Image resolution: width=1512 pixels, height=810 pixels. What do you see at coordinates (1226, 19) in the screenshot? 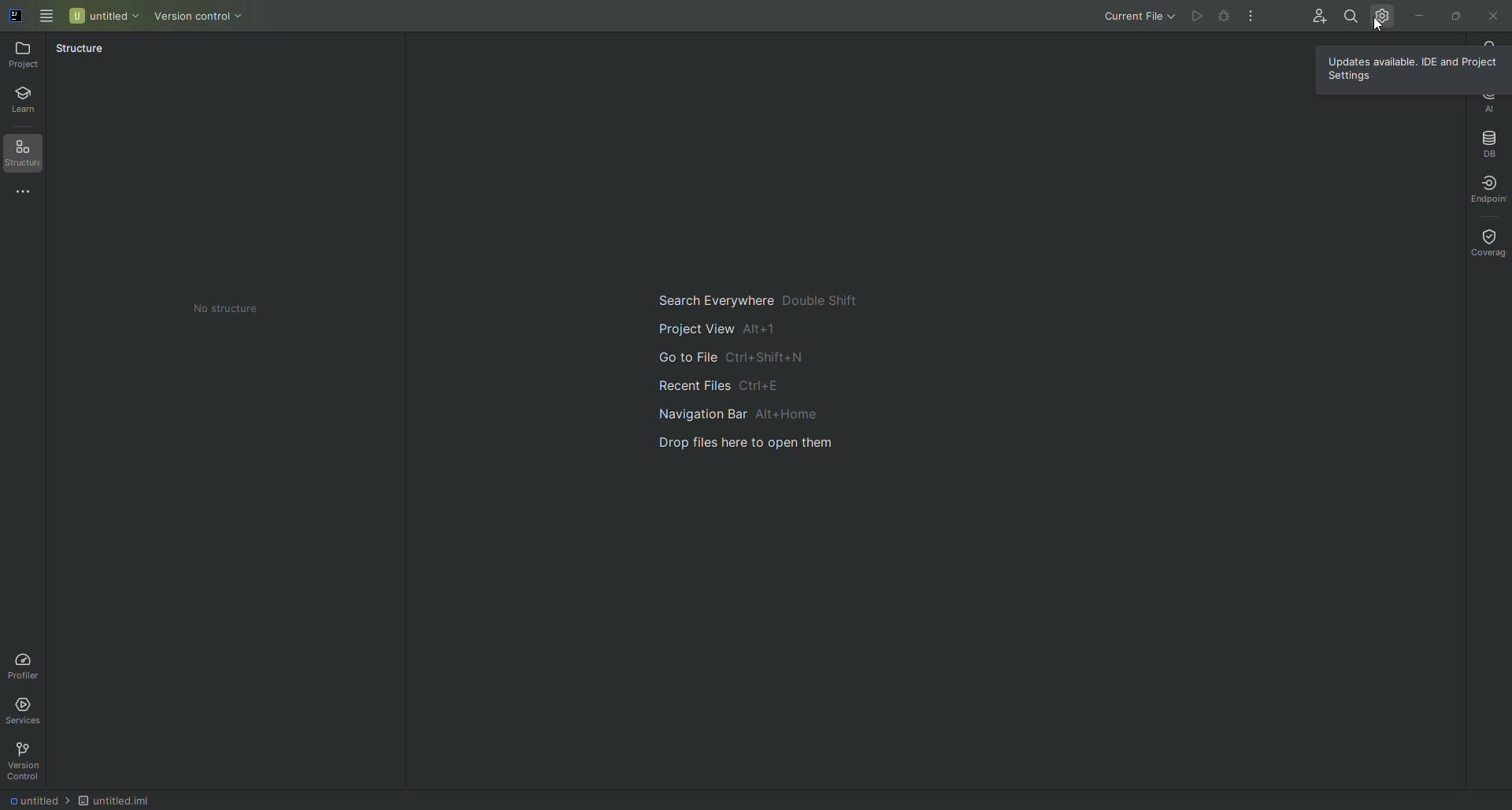
I see `Cannot run current  file` at bounding box center [1226, 19].